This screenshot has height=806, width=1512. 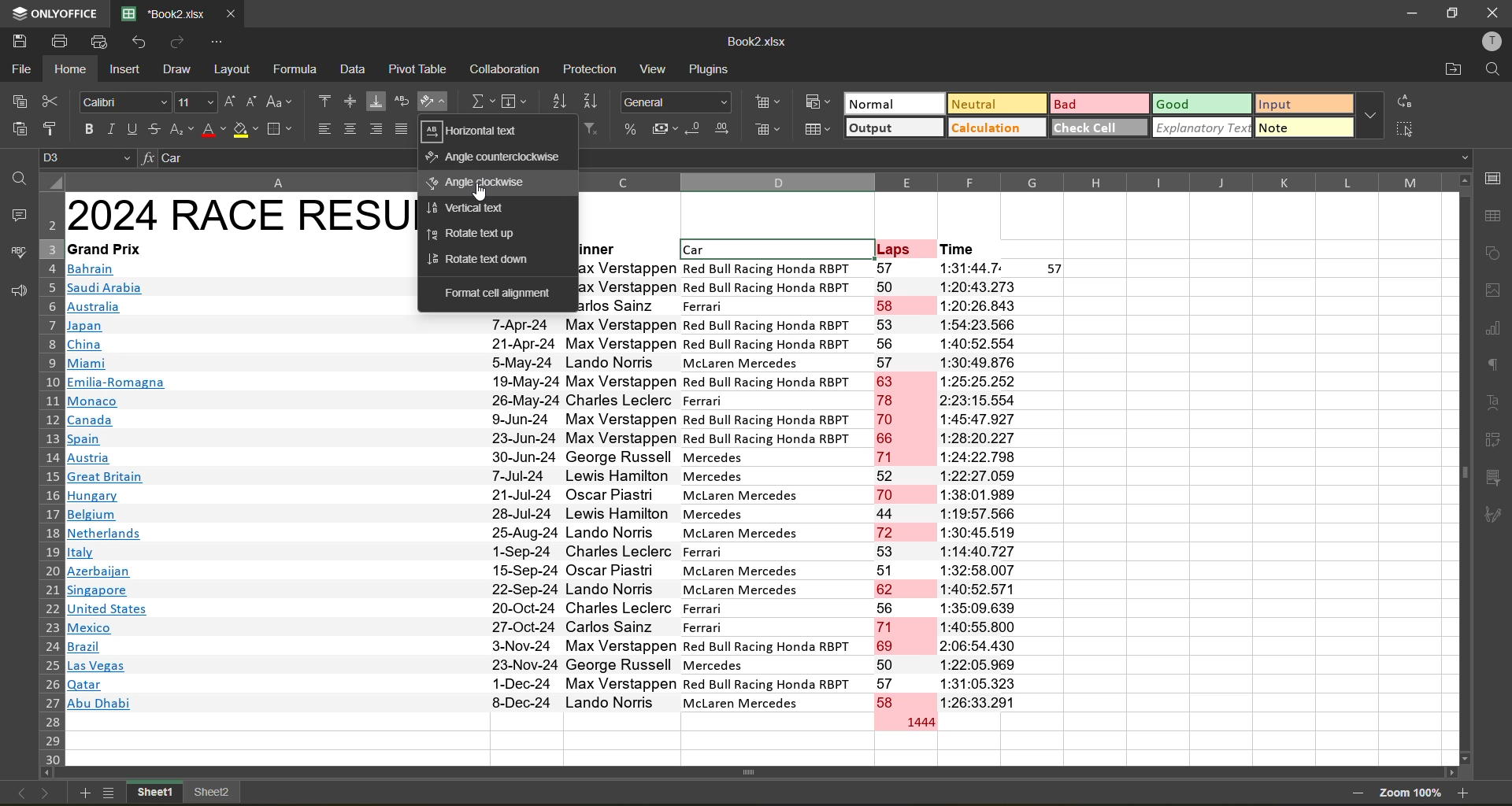 What do you see at coordinates (496, 159) in the screenshot?
I see `angle counterclockwise` at bounding box center [496, 159].